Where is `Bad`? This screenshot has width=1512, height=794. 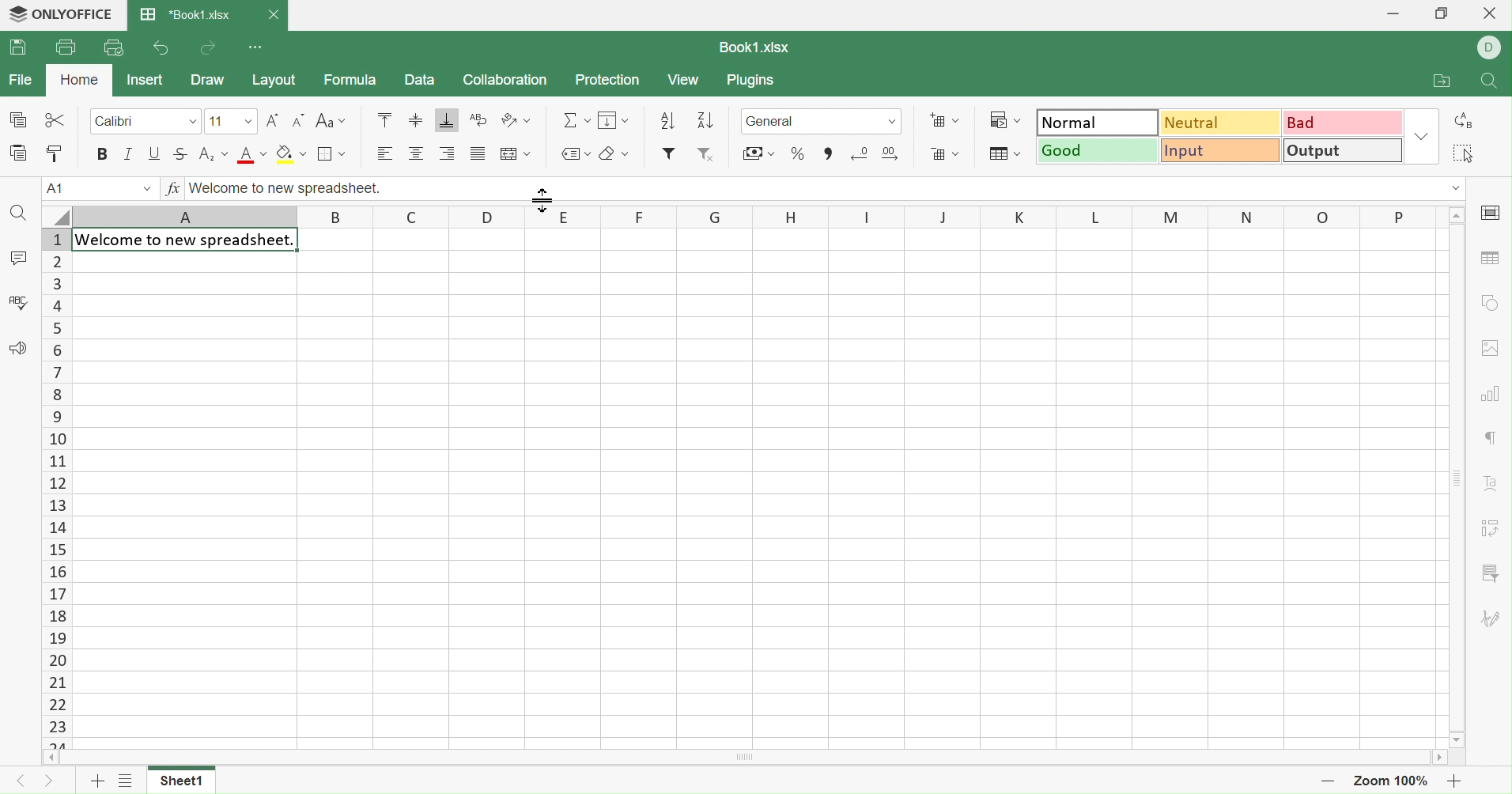 Bad is located at coordinates (1345, 121).